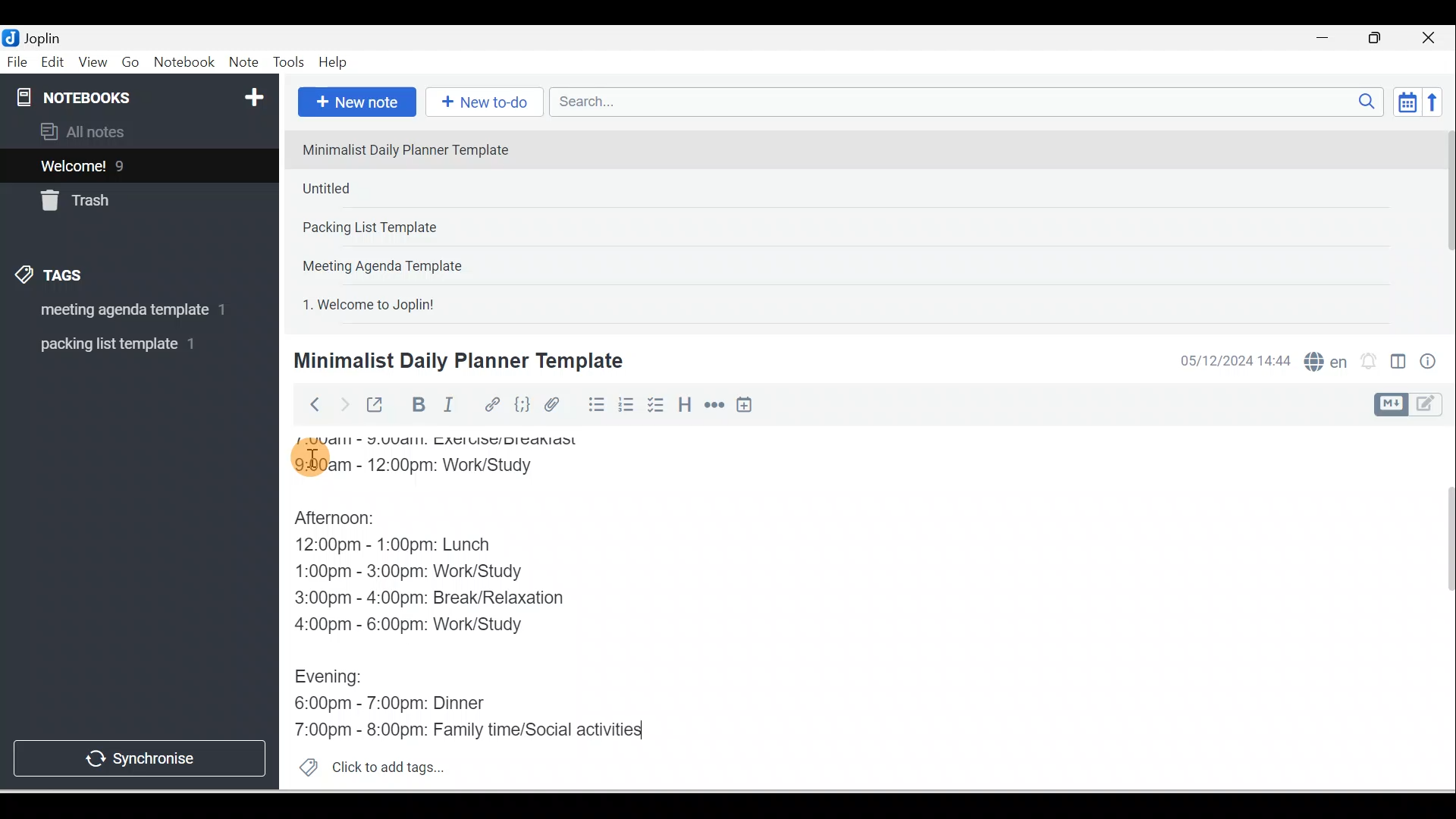 The width and height of the screenshot is (1456, 819). Describe the element at coordinates (128, 344) in the screenshot. I see `Tag 2` at that location.